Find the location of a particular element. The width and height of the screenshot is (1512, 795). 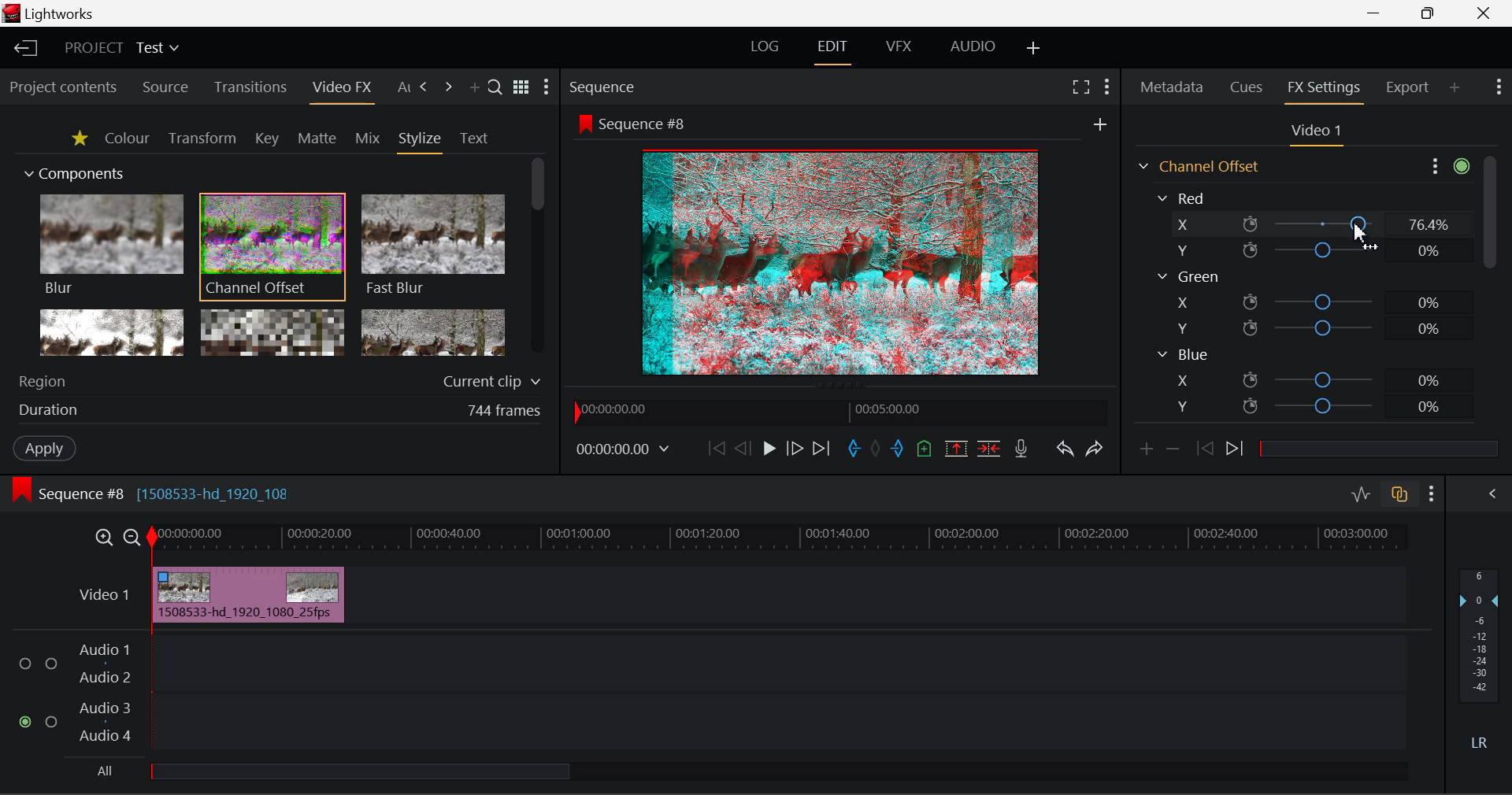

Show Settings is located at coordinates (1106, 89).